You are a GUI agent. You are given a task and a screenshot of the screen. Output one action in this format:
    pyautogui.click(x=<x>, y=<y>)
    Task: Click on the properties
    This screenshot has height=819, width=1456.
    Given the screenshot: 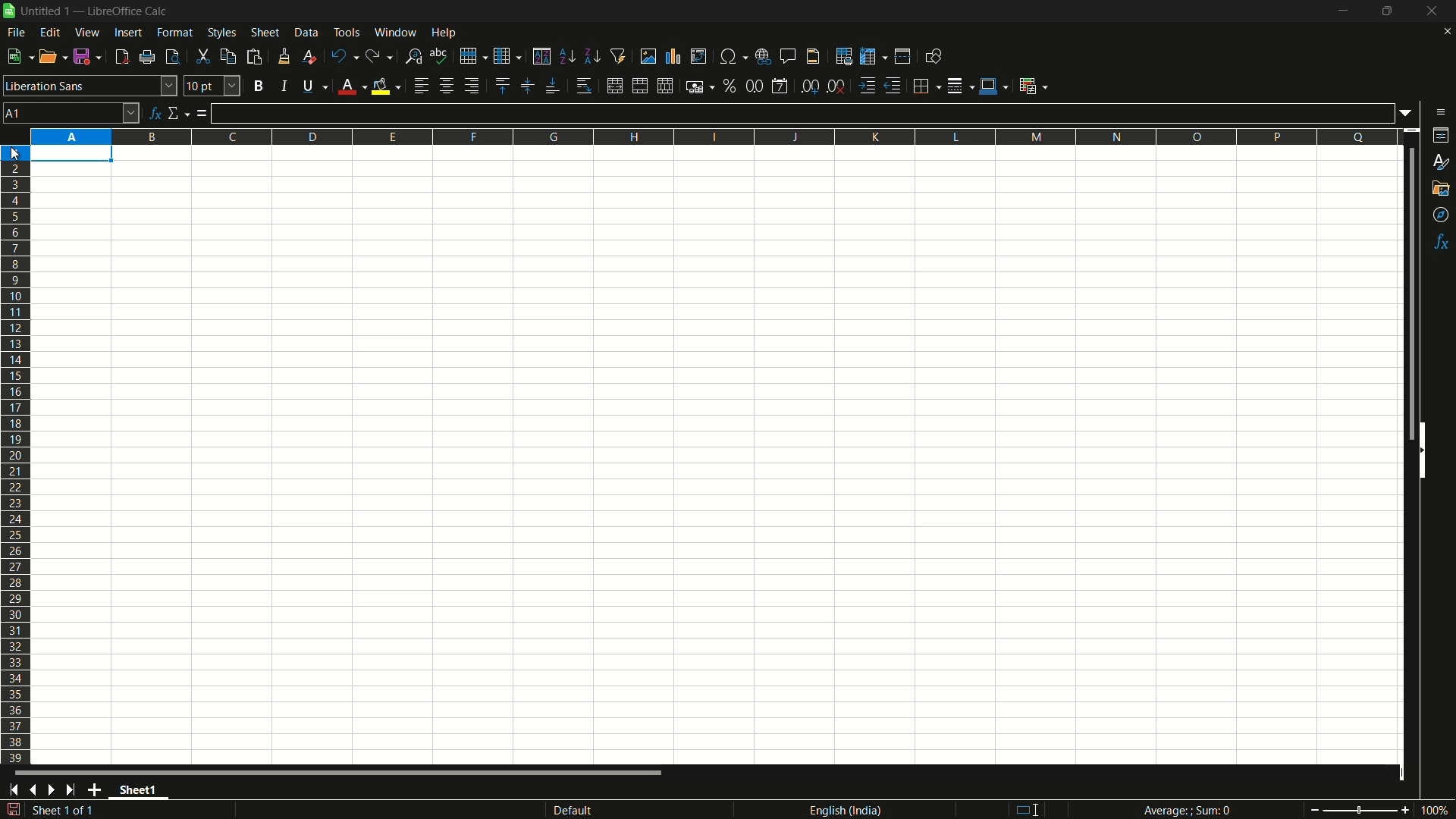 What is the action you would take?
    pyautogui.click(x=1442, y=135)
    